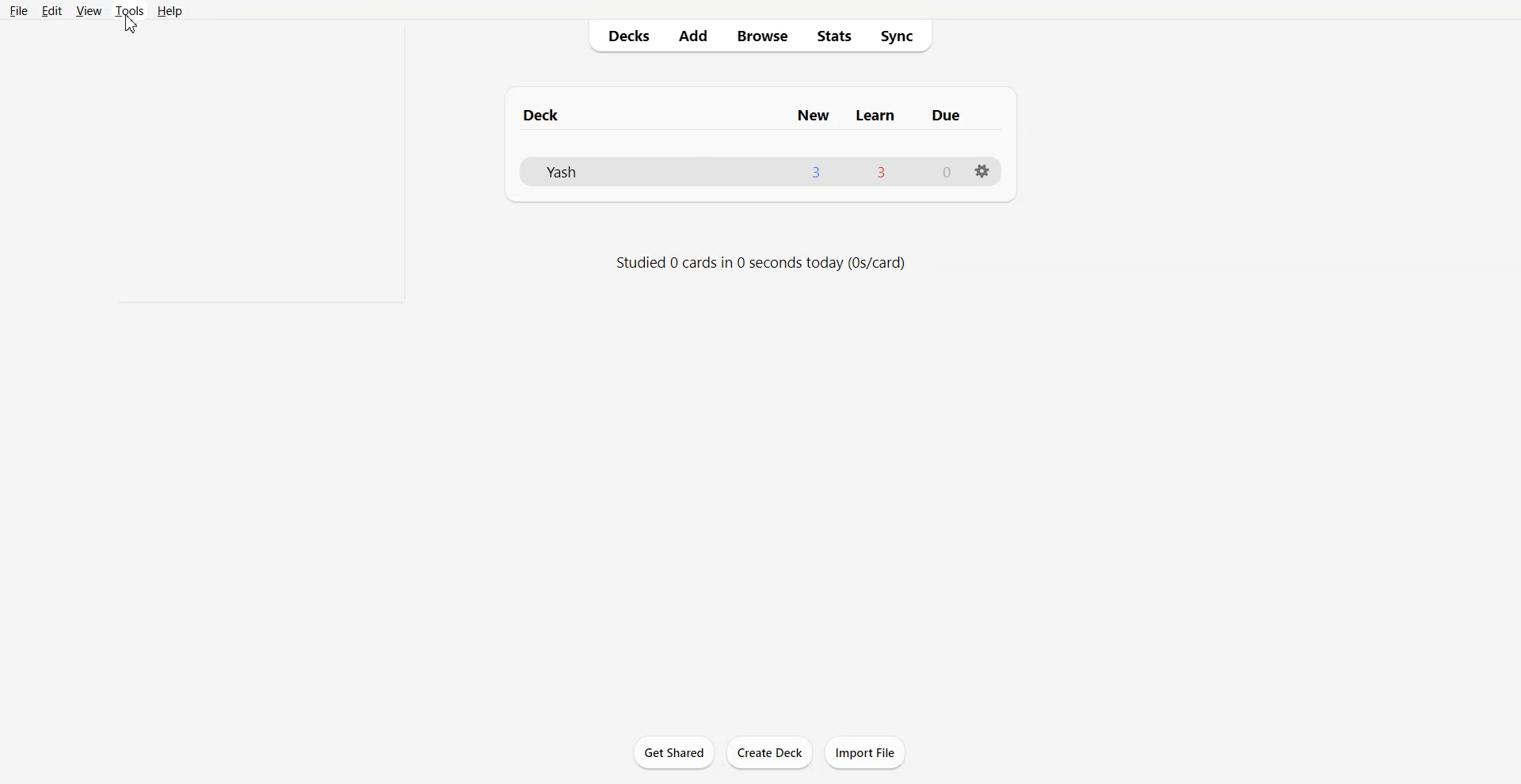  What do you see at coordinates (51, 10) in the screenshot?
I see `Edit` at bounding box center [51, 10].